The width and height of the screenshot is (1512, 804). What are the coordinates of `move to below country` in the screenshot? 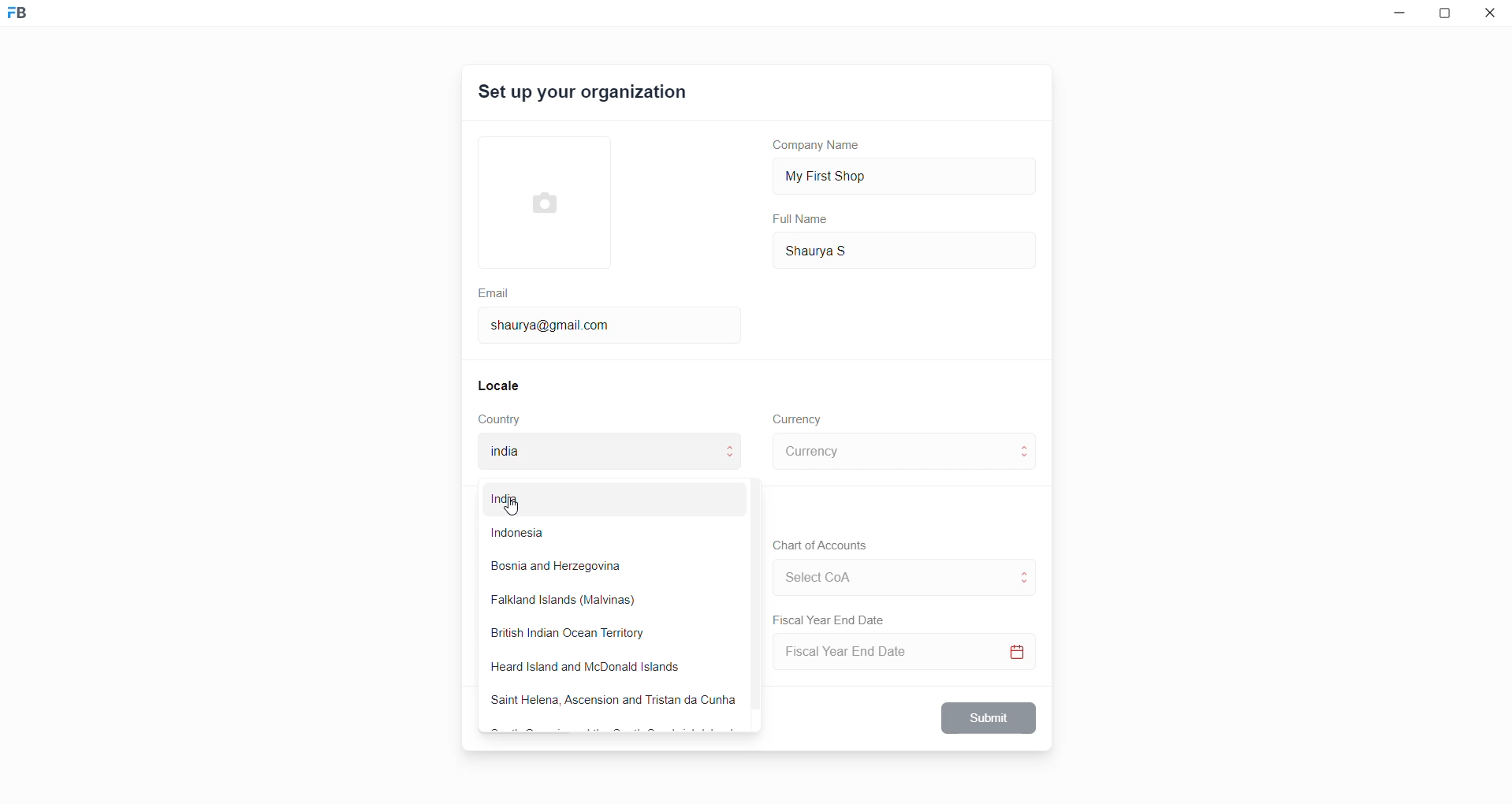 It's located at (733, 461).